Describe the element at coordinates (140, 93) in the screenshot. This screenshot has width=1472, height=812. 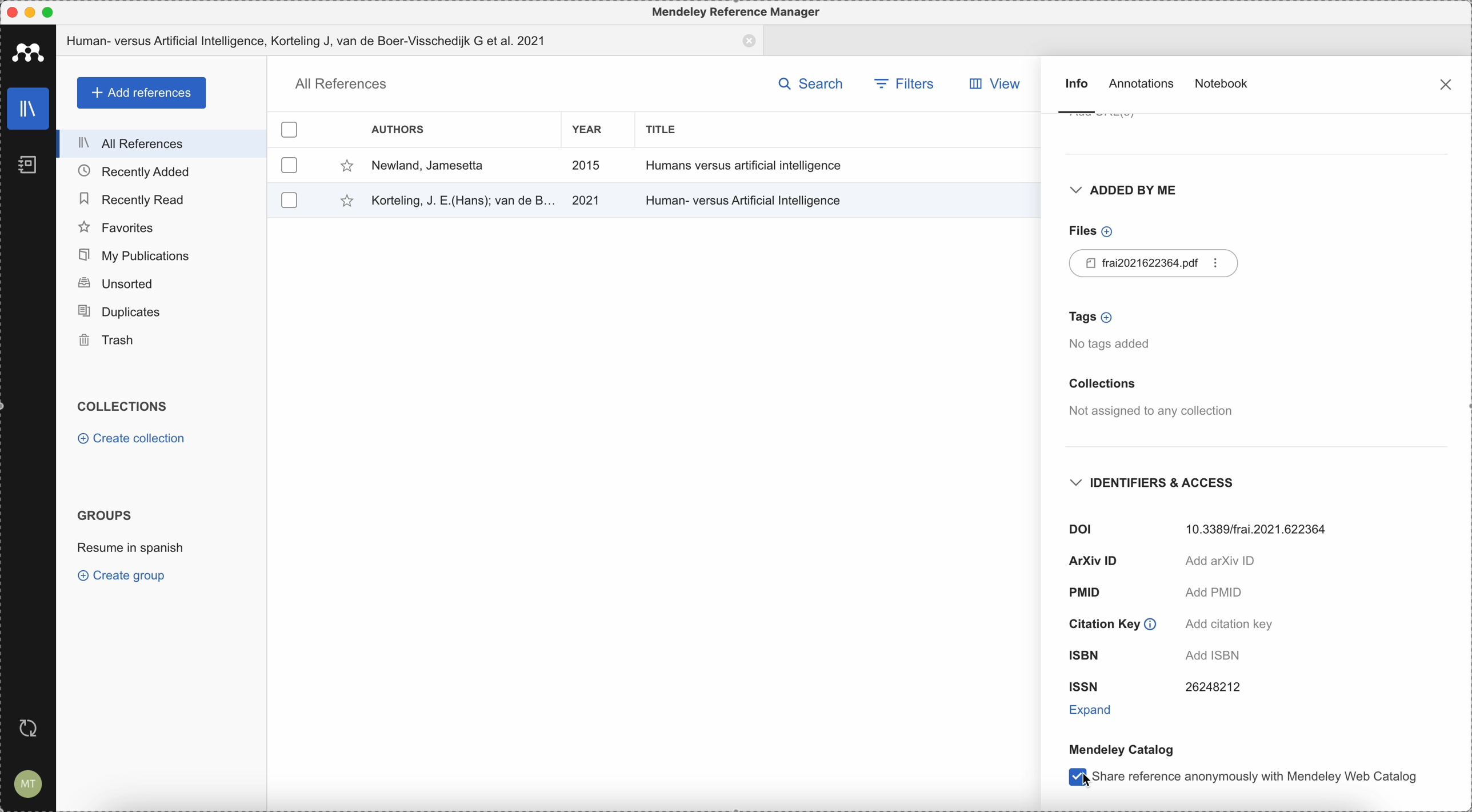
I see `add references` at that location.